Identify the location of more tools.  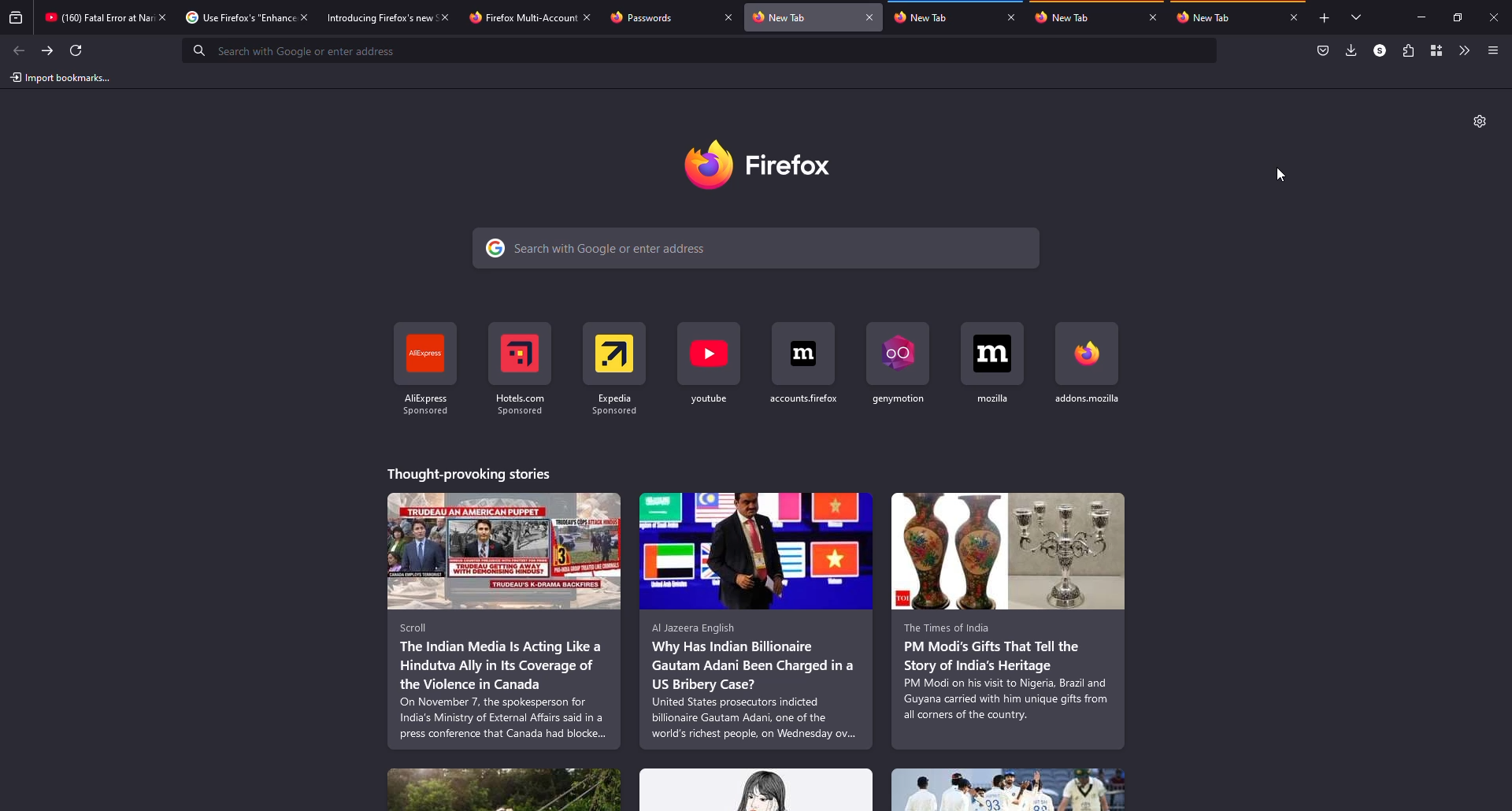
(1462, 50).